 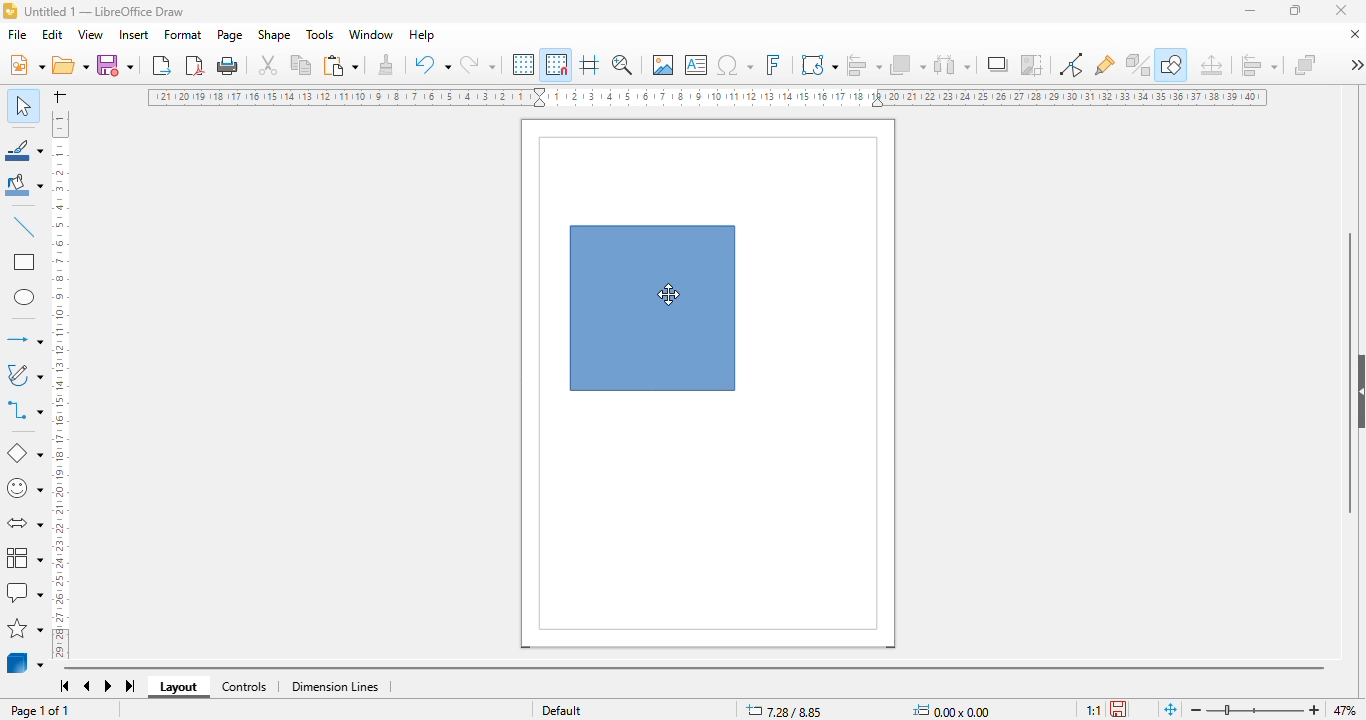 What do you see at coordinates (589, 64) in the screenshot?
I see `helplines while moving` at bounding box center [589, 64].